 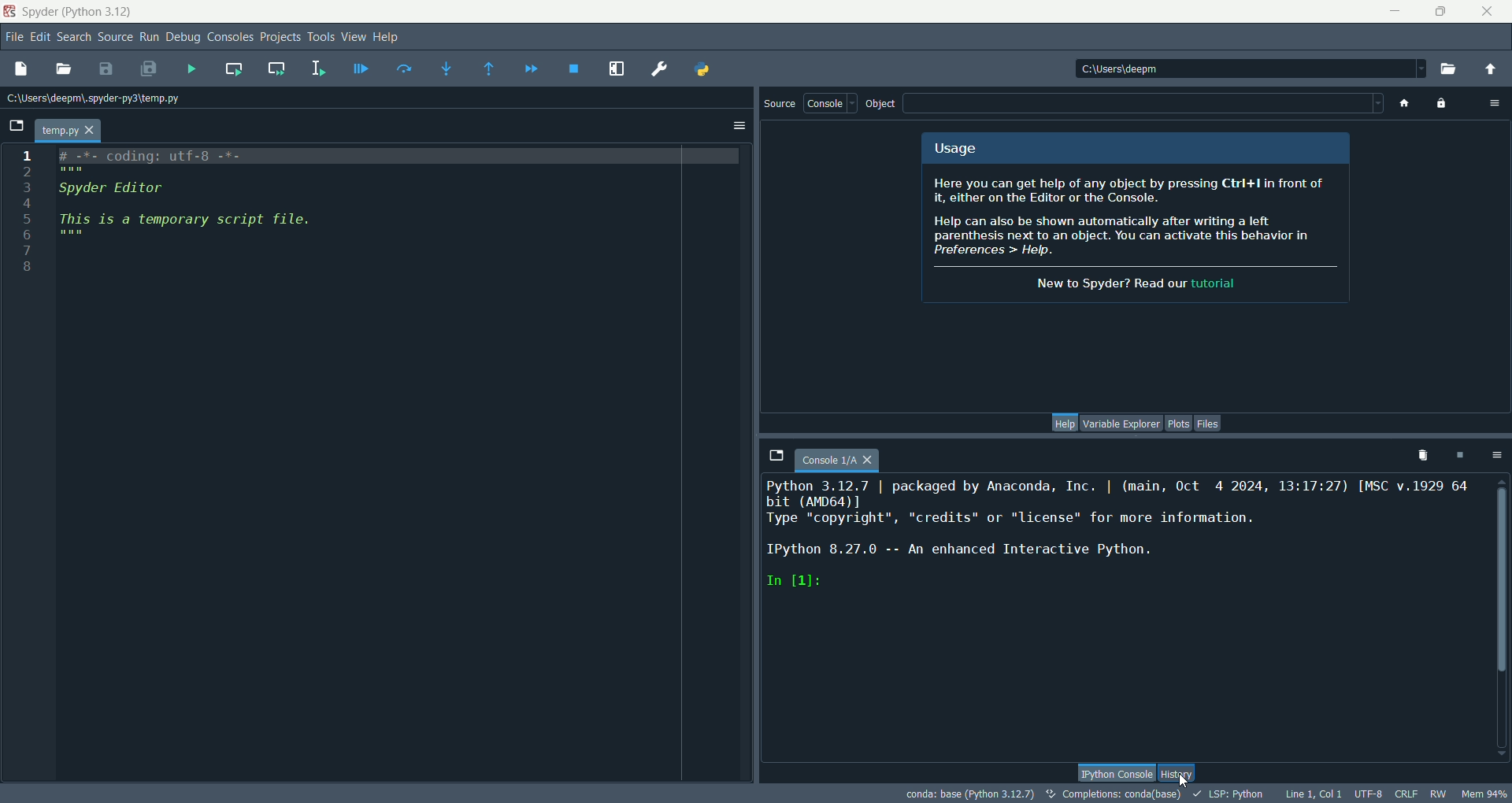 I want to click on edit, so click(x=40, y=38).